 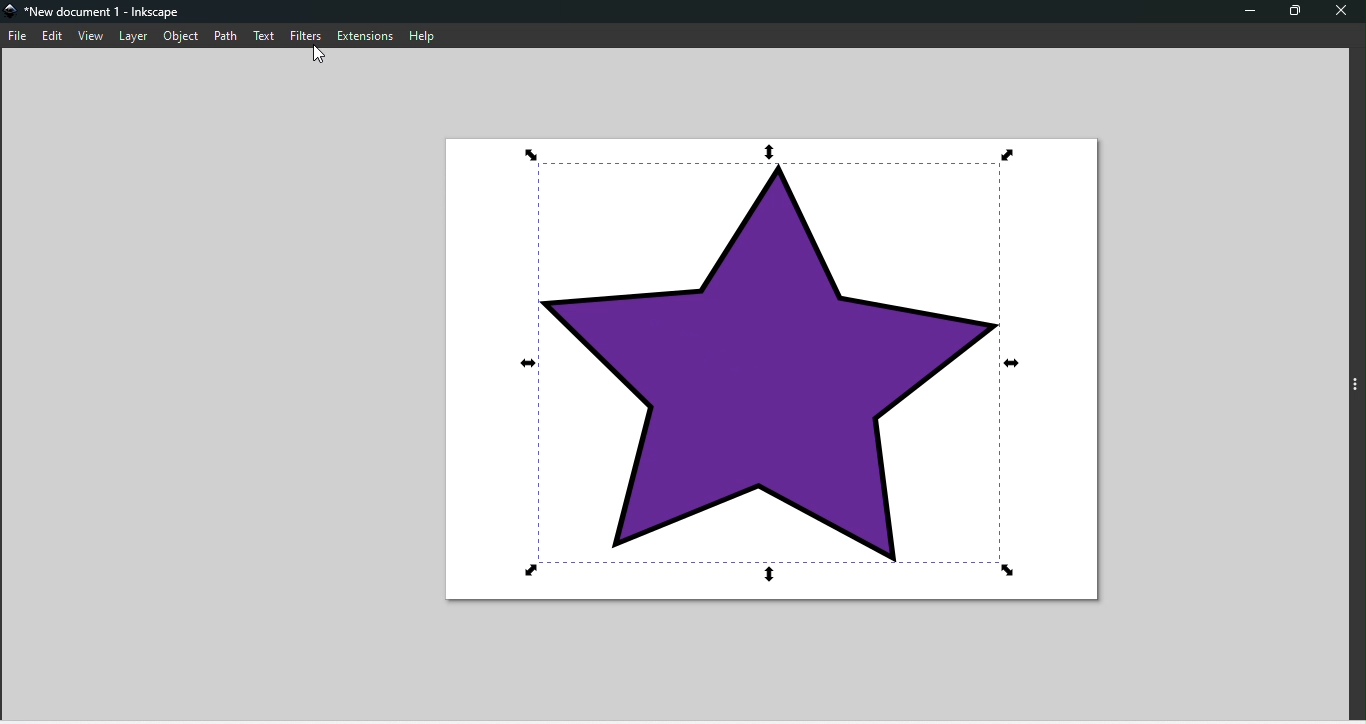 I want to click on Minimize, so click(x=1248, y=12).